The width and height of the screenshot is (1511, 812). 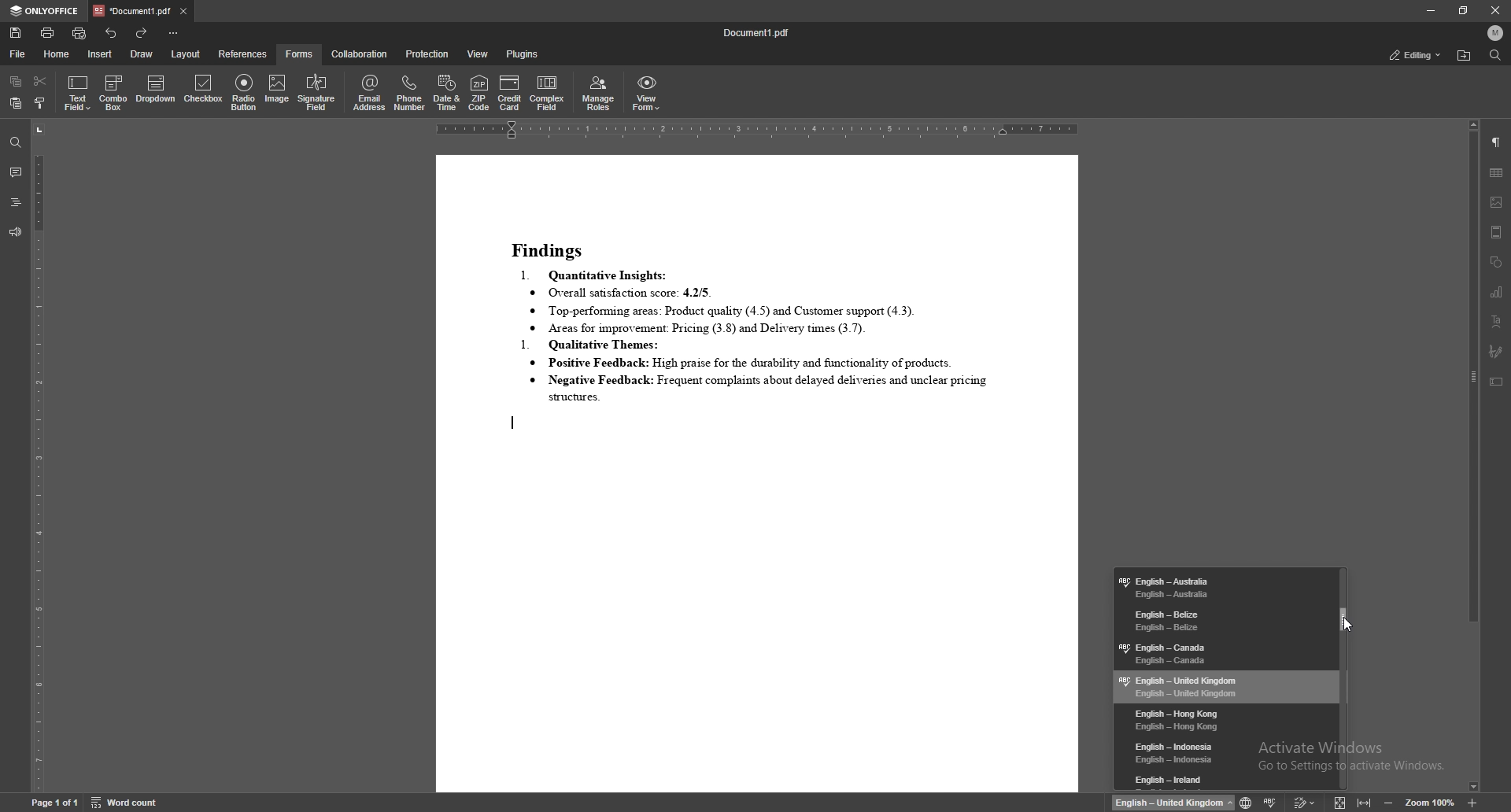 What do you see at coordinates (1345, 677) in the screenshot?
I see `scroll bar` at bounding box center [1345, 677].